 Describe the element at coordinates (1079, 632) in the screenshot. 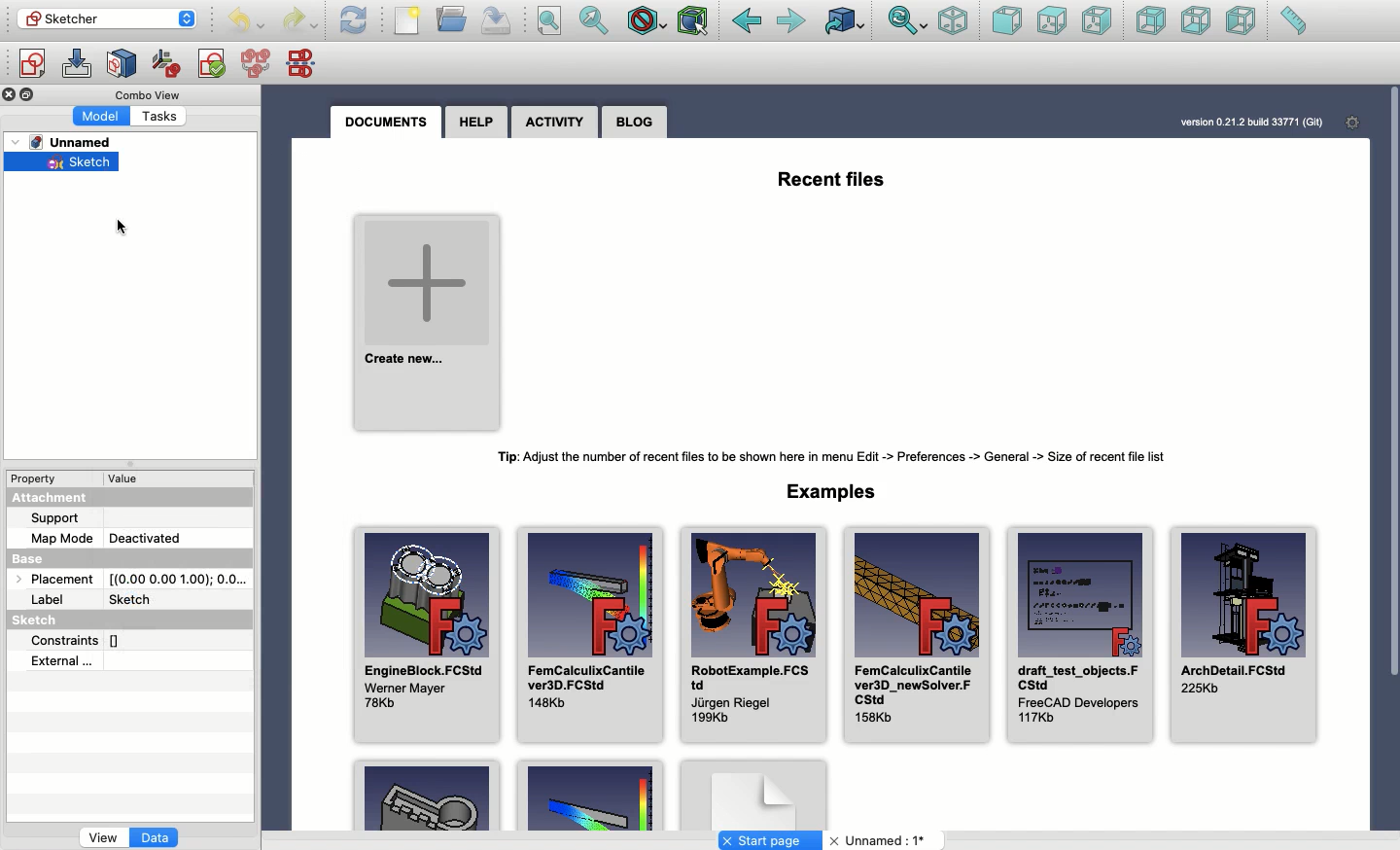

I see `draft_test_objects` at that location.